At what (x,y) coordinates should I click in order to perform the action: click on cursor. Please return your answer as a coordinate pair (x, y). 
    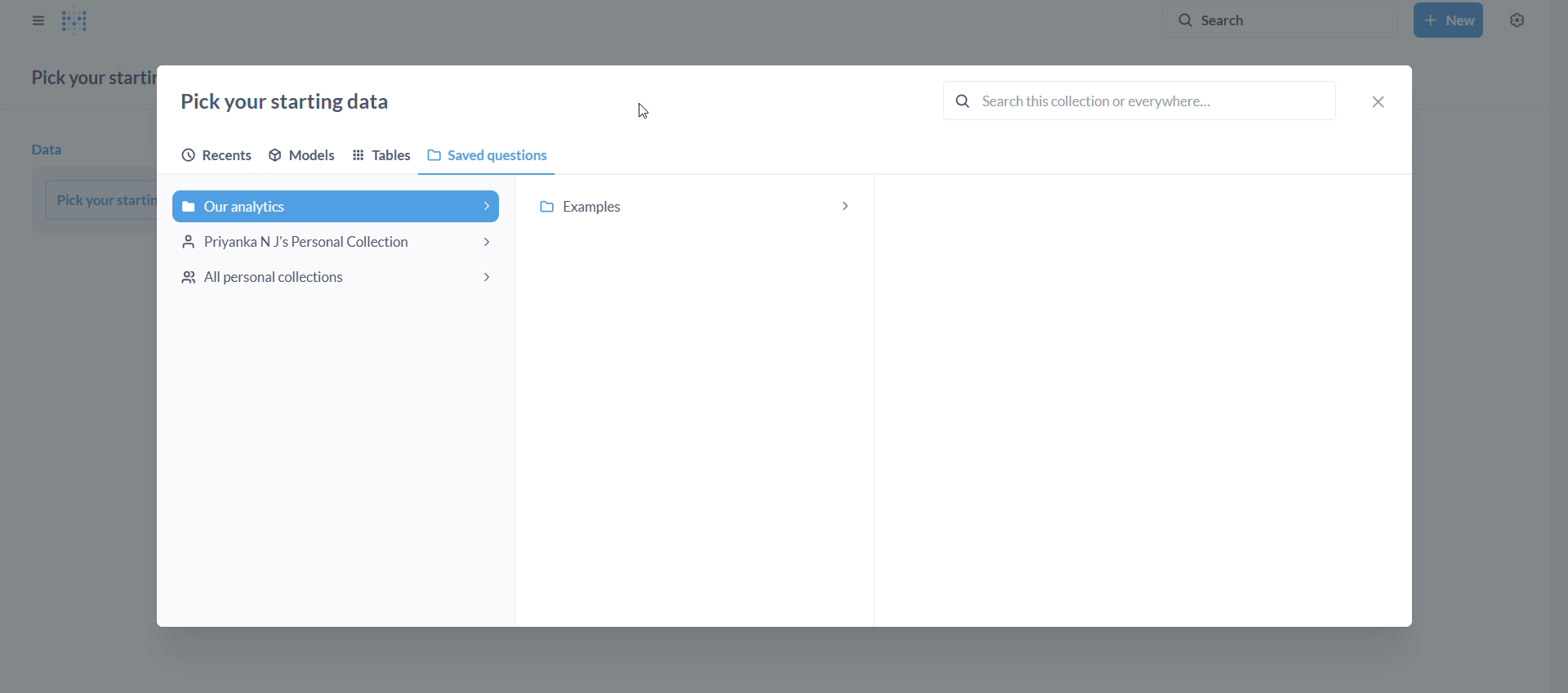
    Looking at the image, I should click on (642, 110).